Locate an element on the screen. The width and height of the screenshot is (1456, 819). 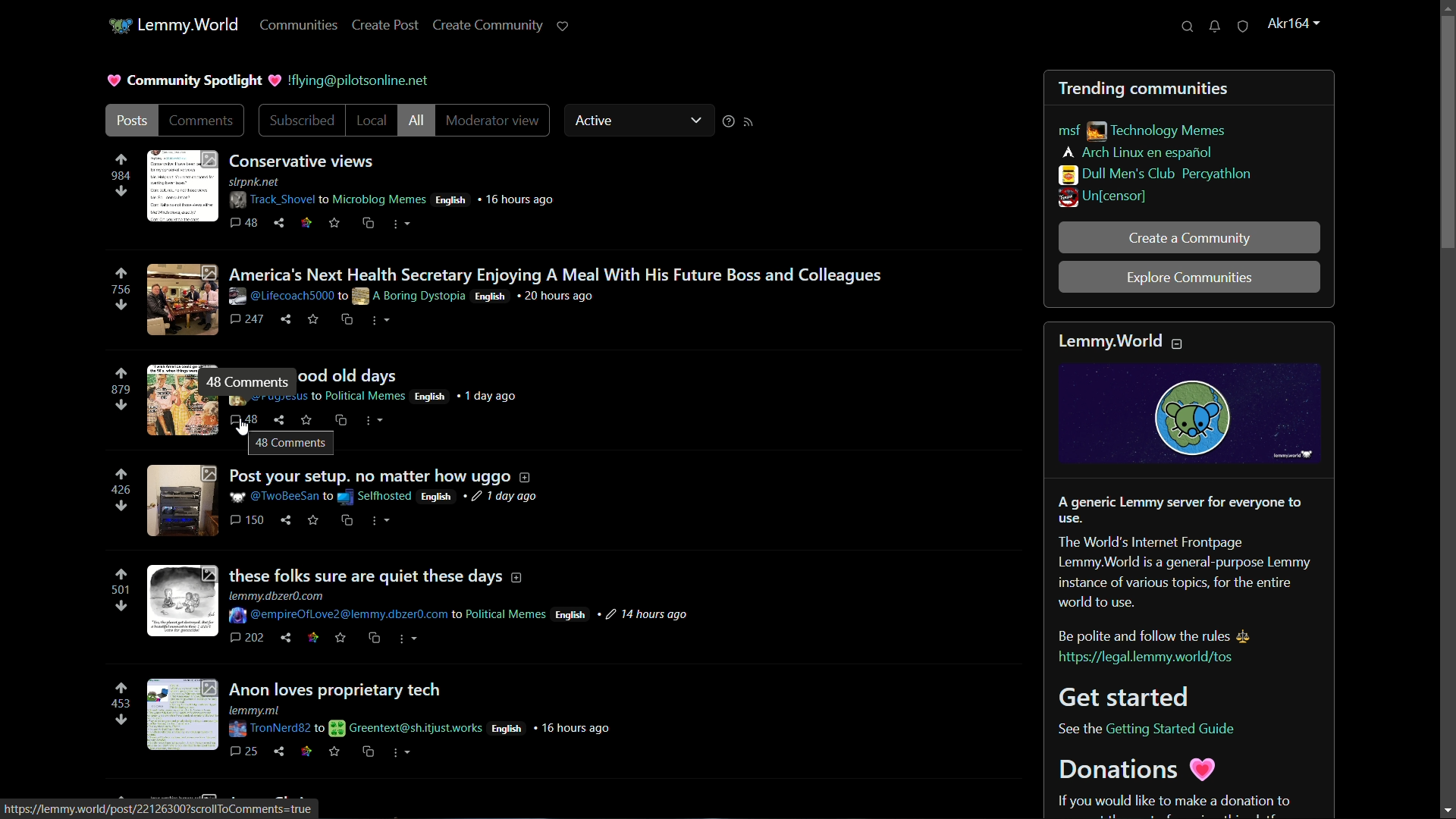
upvote is located at coordinates (121, 576).